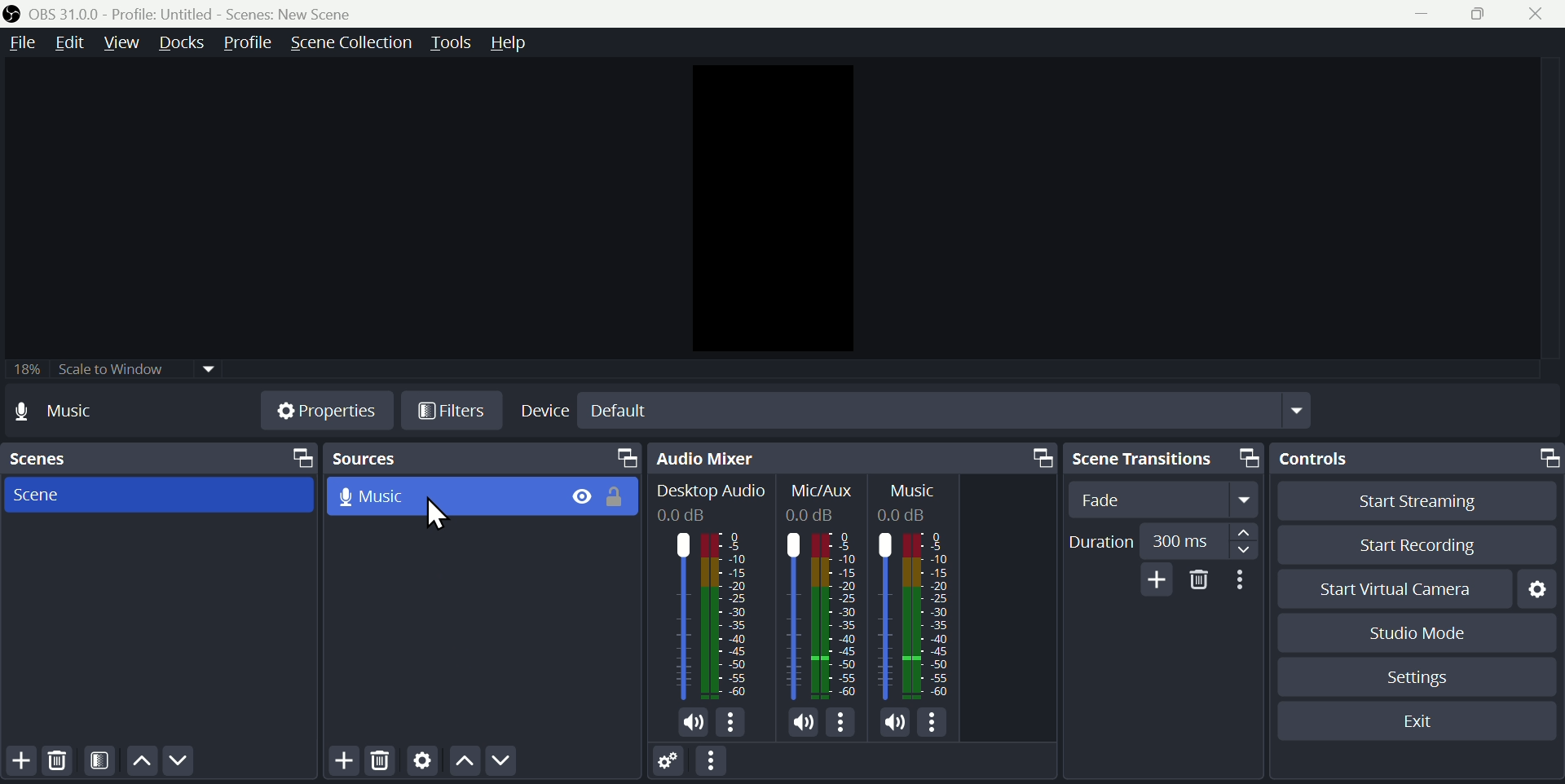 The width and height of the screenshot is (1565, 784). I want to click on cursor, so click(434, 518).